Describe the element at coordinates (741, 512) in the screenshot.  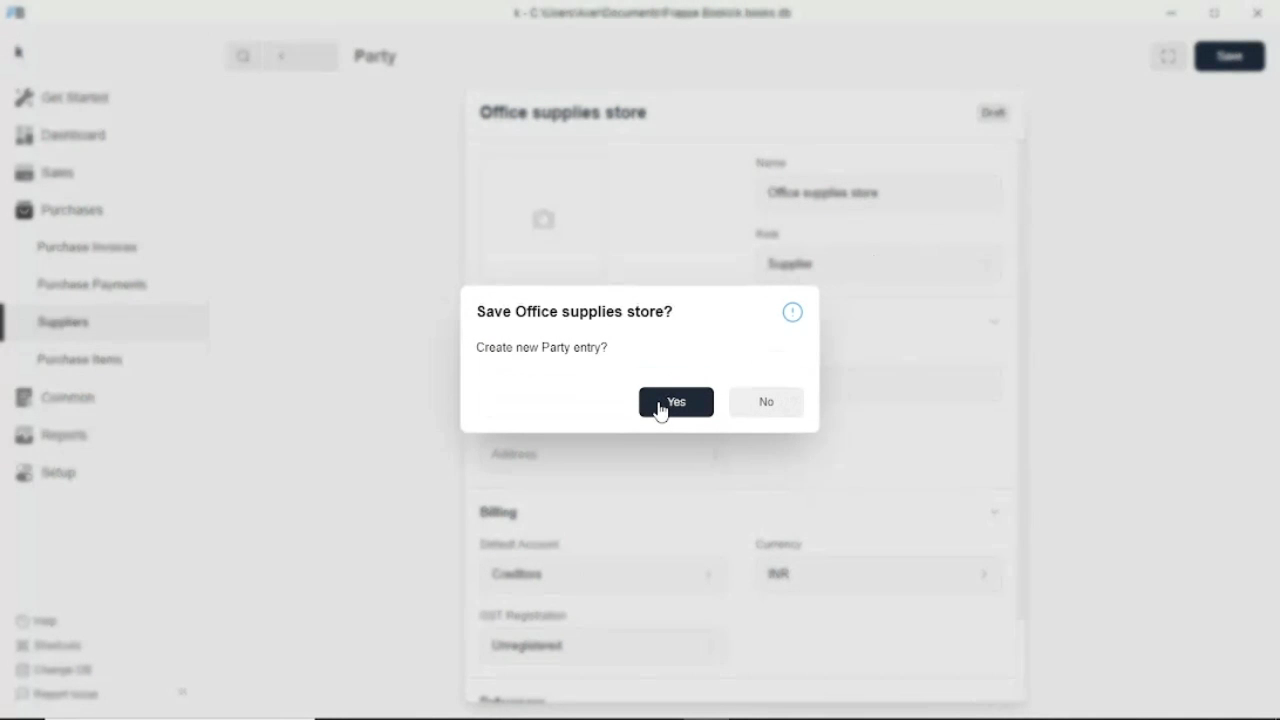
I see `Billing` at that location.